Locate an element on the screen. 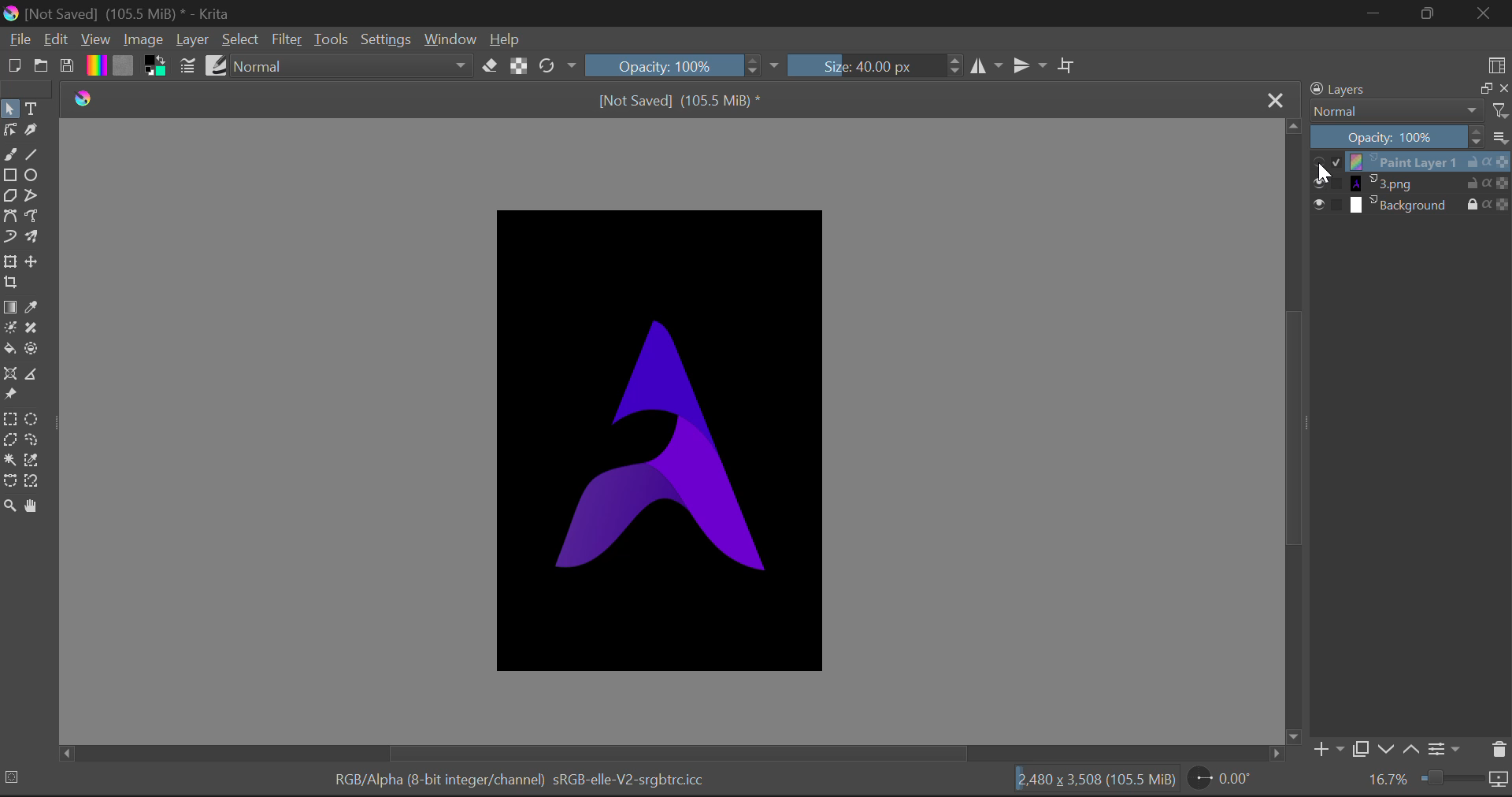  logo is located at coordinates (87, 100).